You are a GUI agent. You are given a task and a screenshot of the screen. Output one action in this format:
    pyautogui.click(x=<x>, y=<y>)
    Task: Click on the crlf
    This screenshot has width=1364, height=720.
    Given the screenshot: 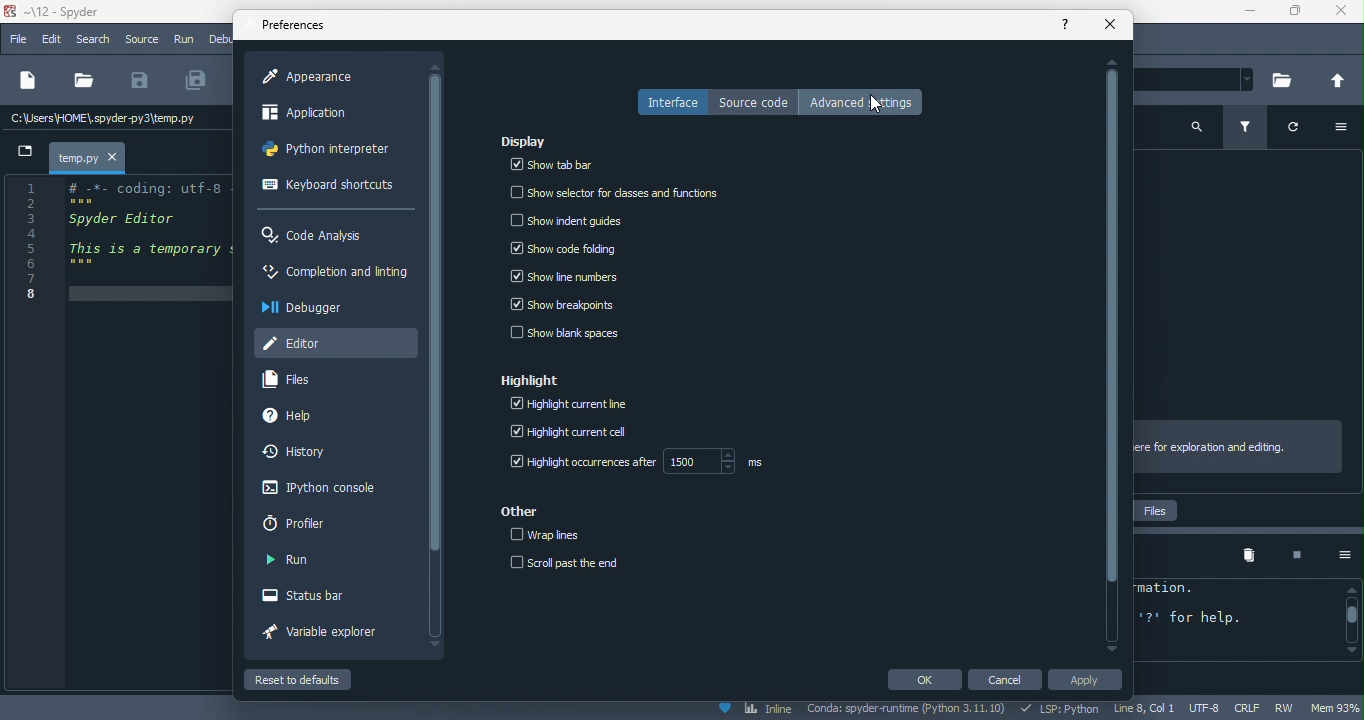 What is the action you would take?
    pyautogui.click(x=1250, y=708)
    